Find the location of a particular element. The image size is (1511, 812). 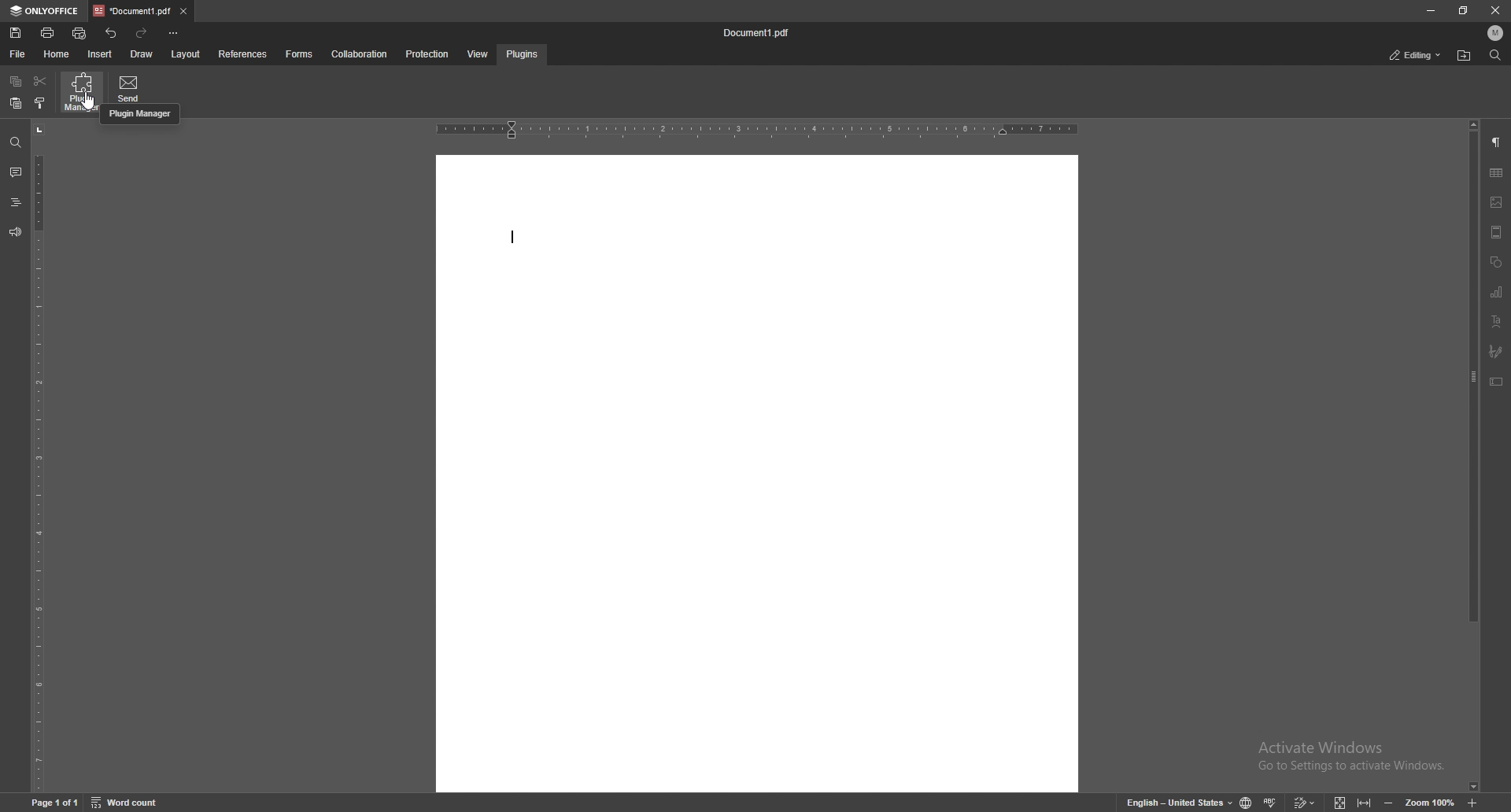

text art is located at coordinates (1498, 321).